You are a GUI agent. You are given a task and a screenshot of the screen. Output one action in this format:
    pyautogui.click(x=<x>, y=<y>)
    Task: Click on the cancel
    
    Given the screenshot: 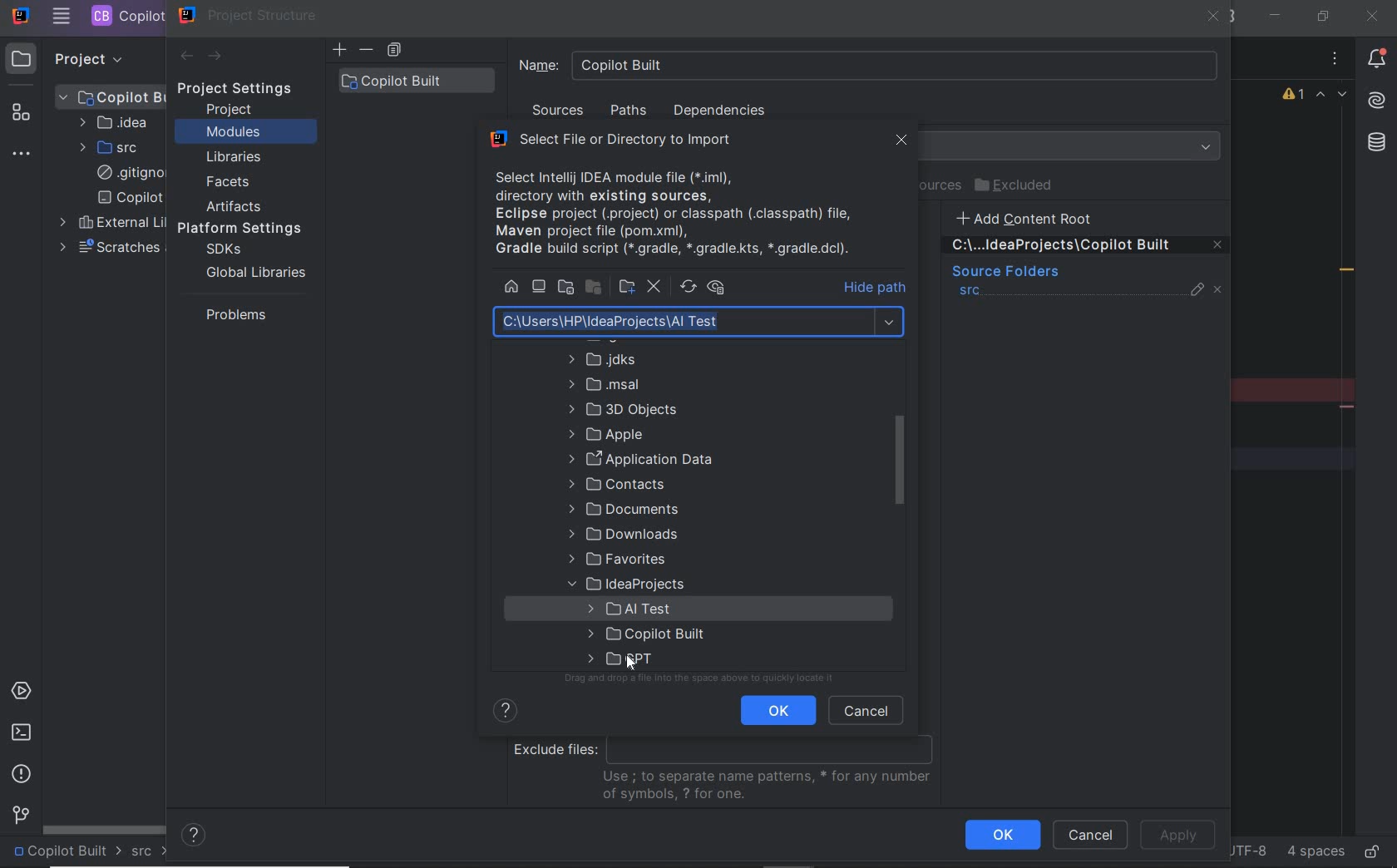 What is the action you would take?
    pyautogui.click(x=1090, y=836)
    